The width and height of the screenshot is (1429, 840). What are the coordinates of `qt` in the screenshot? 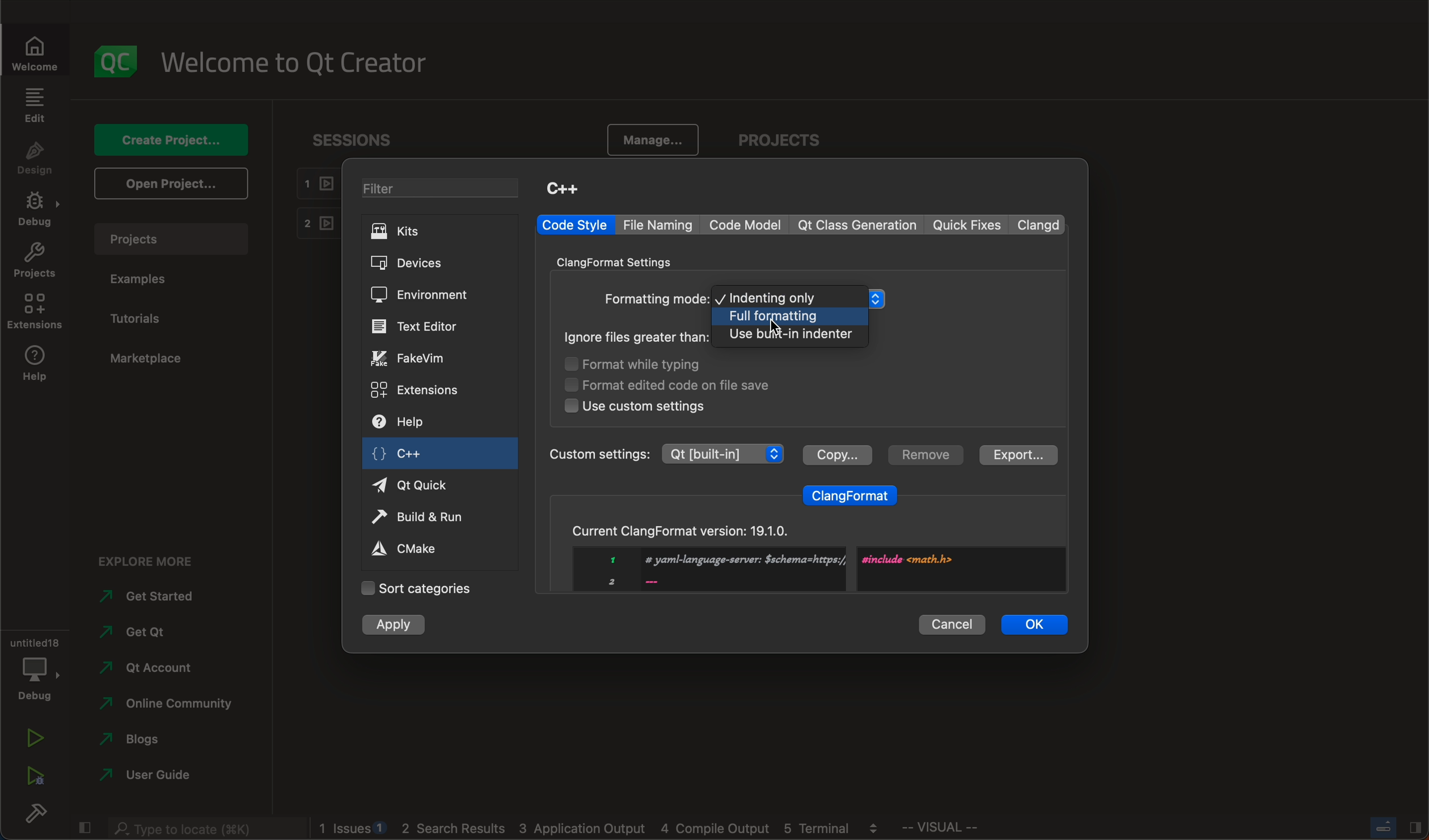 It's located at (423, 484).